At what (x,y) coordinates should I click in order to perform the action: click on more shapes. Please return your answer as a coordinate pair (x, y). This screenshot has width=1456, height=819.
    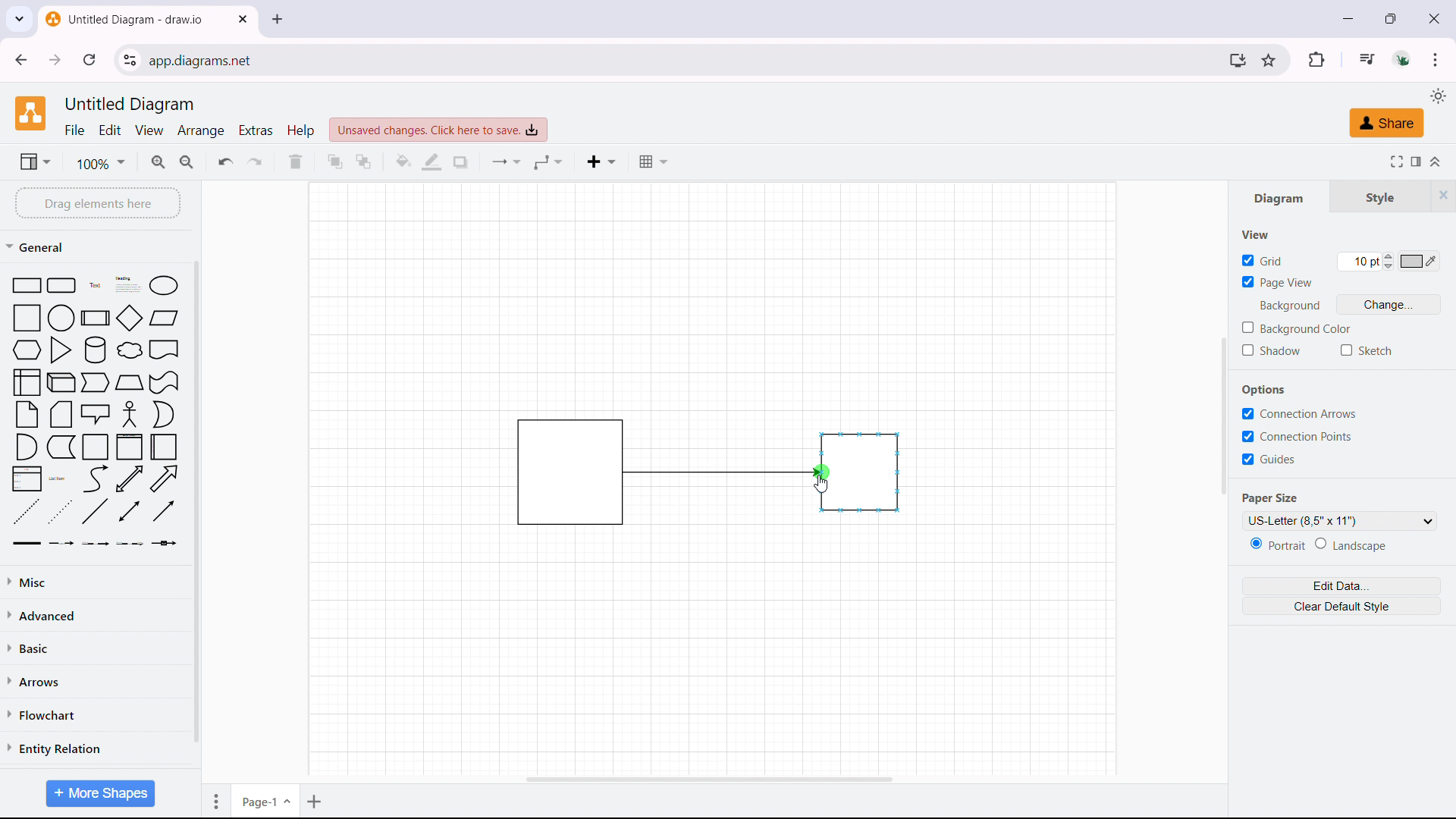
    Looking at the image, I should click on (99, 793).